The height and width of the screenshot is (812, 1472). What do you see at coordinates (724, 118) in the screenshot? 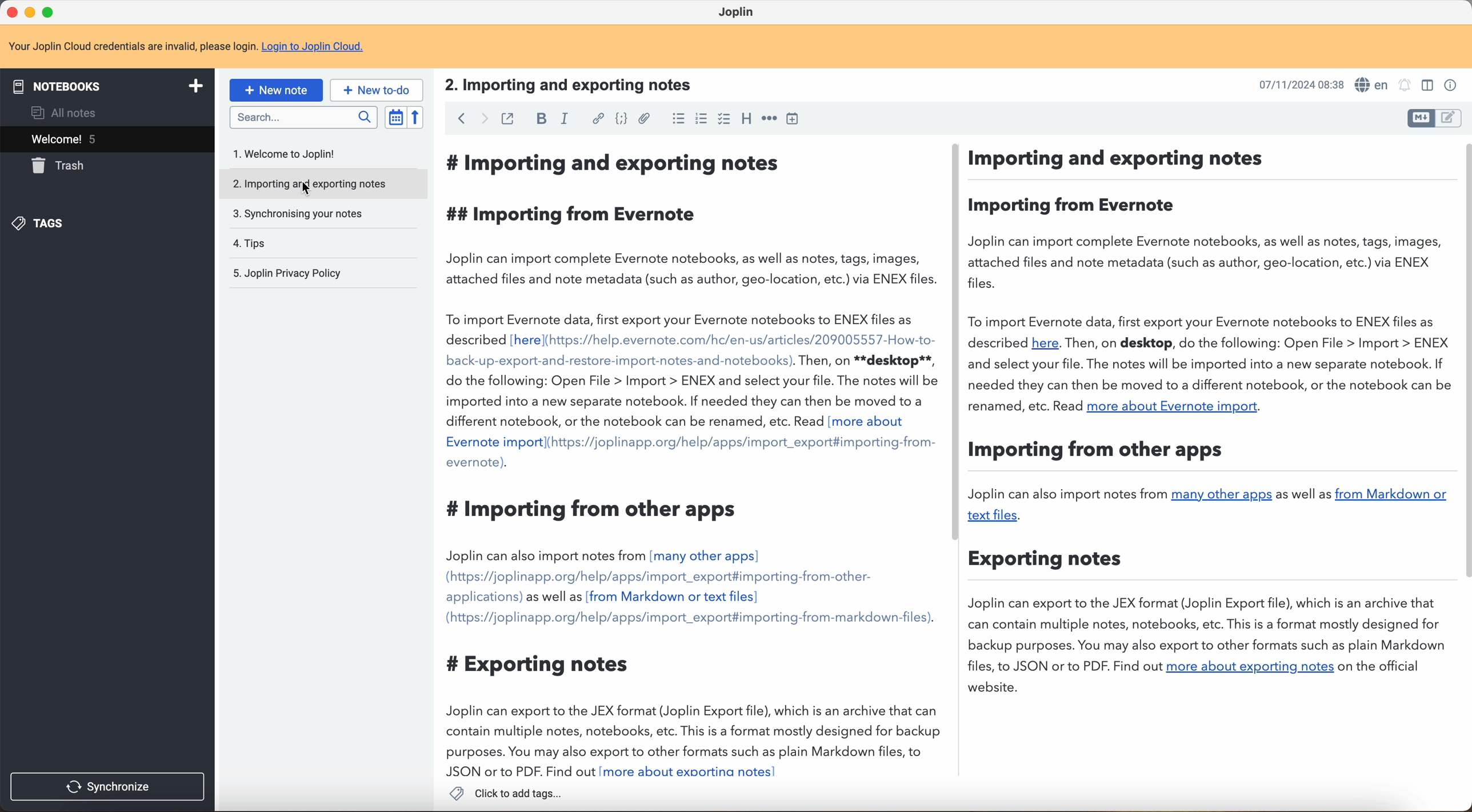
I see `checkbox` at bounding box center [724, 118].